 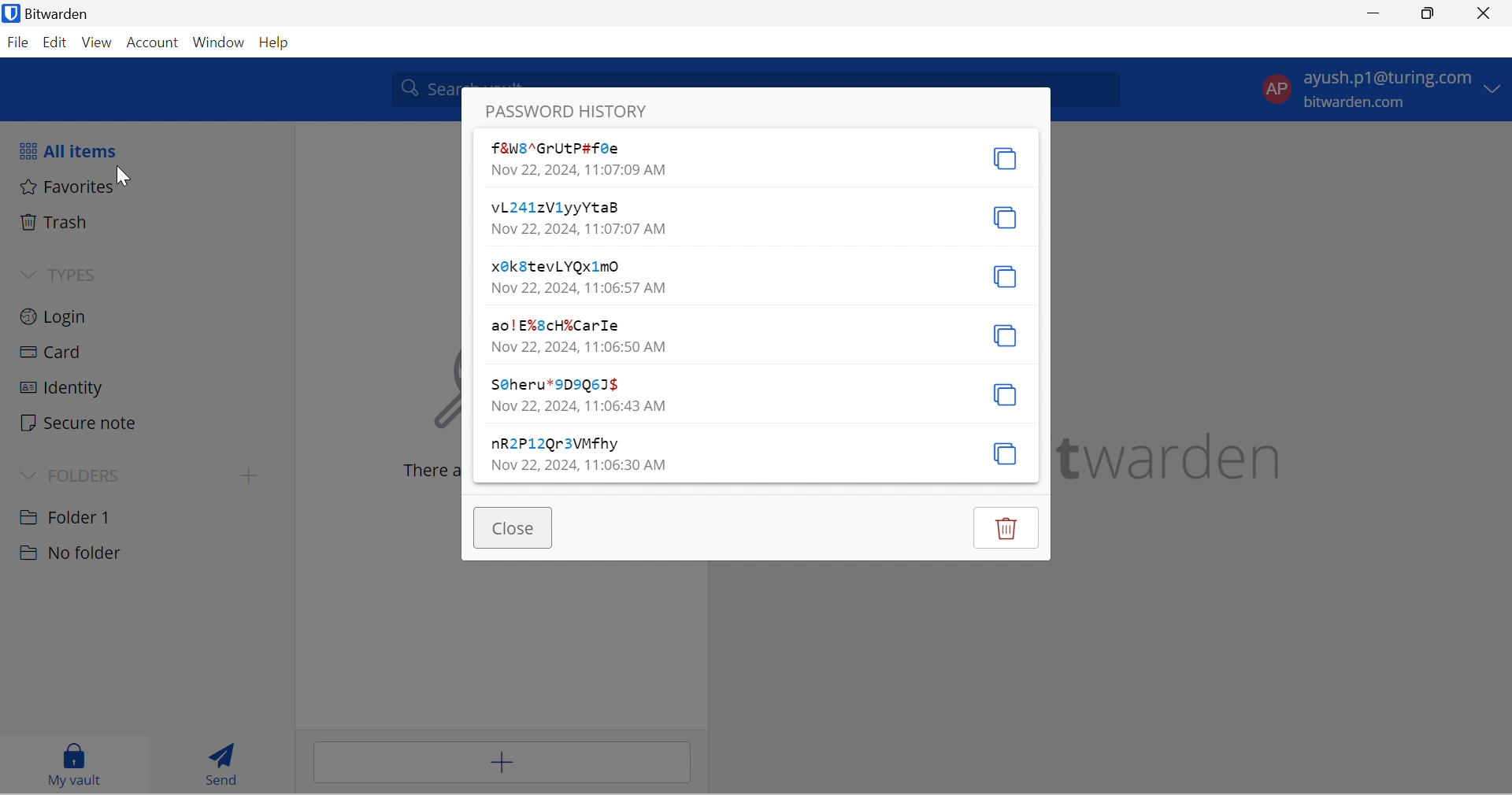 I want to click on Nov 22, 2024, 11:07:09 AM, so click(x=580, y=170).